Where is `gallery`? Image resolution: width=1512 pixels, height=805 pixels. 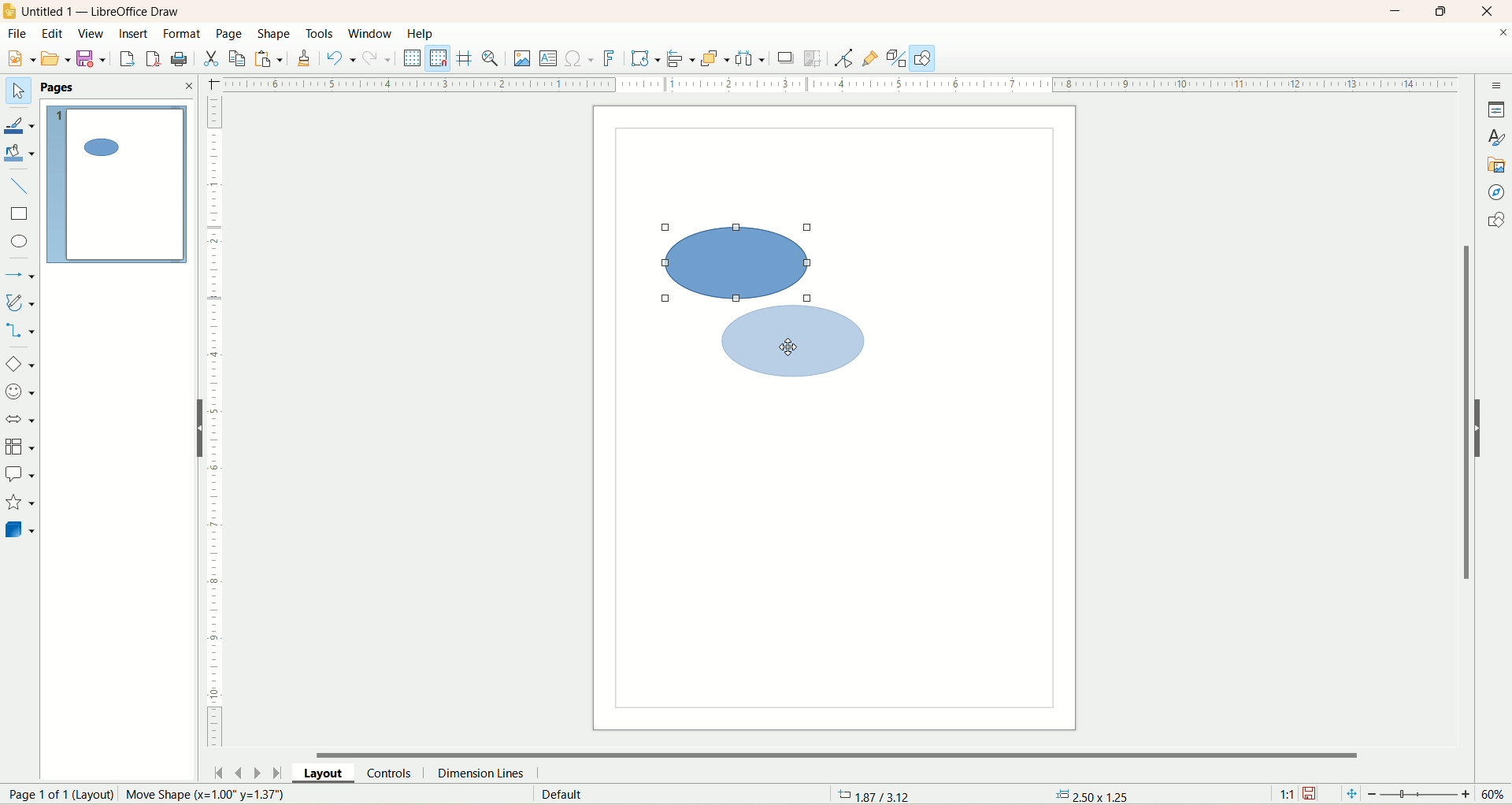 gallery is located at coordinates (1498, 167).